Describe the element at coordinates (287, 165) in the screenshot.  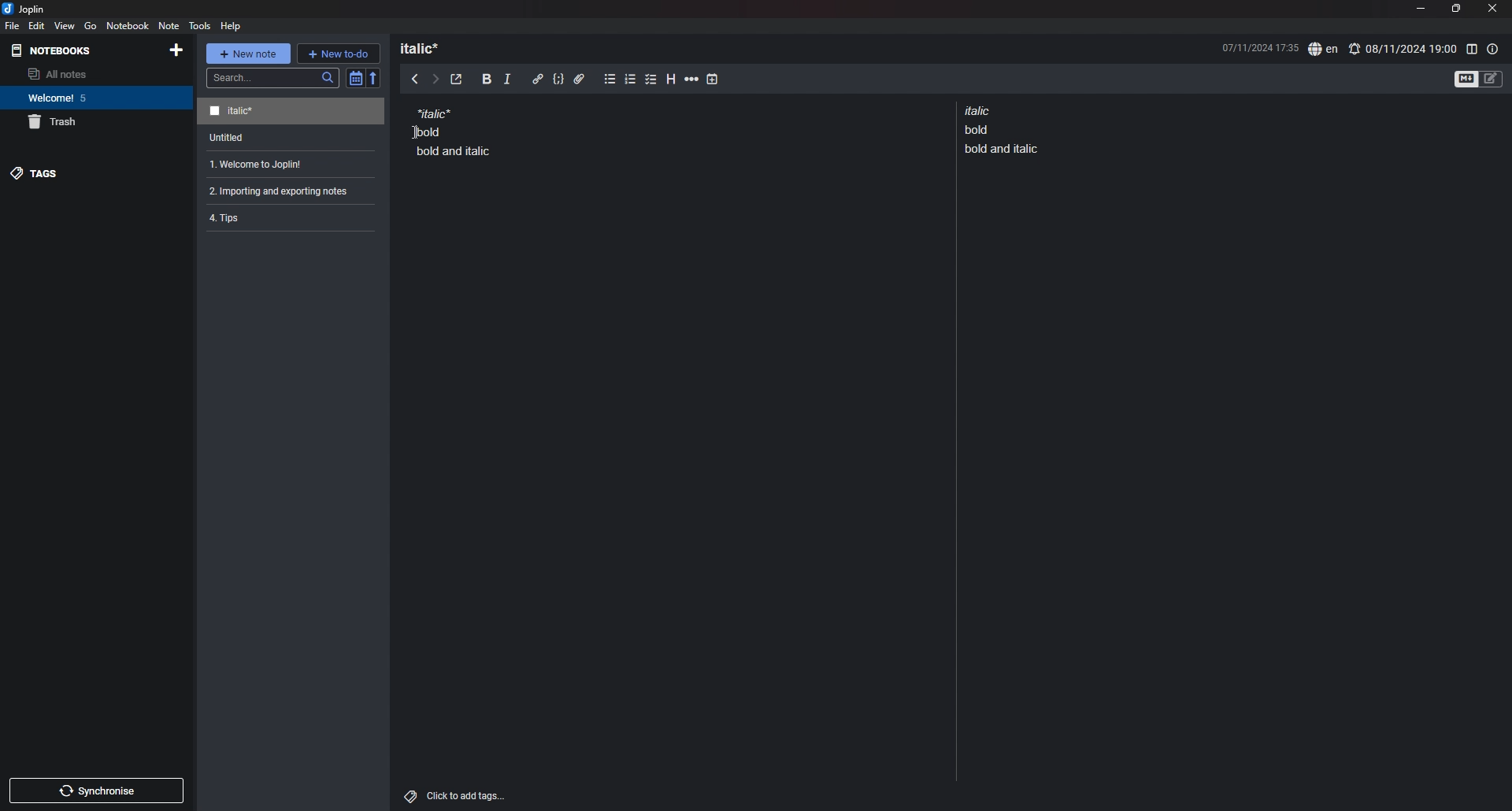
I see `note` at that location.